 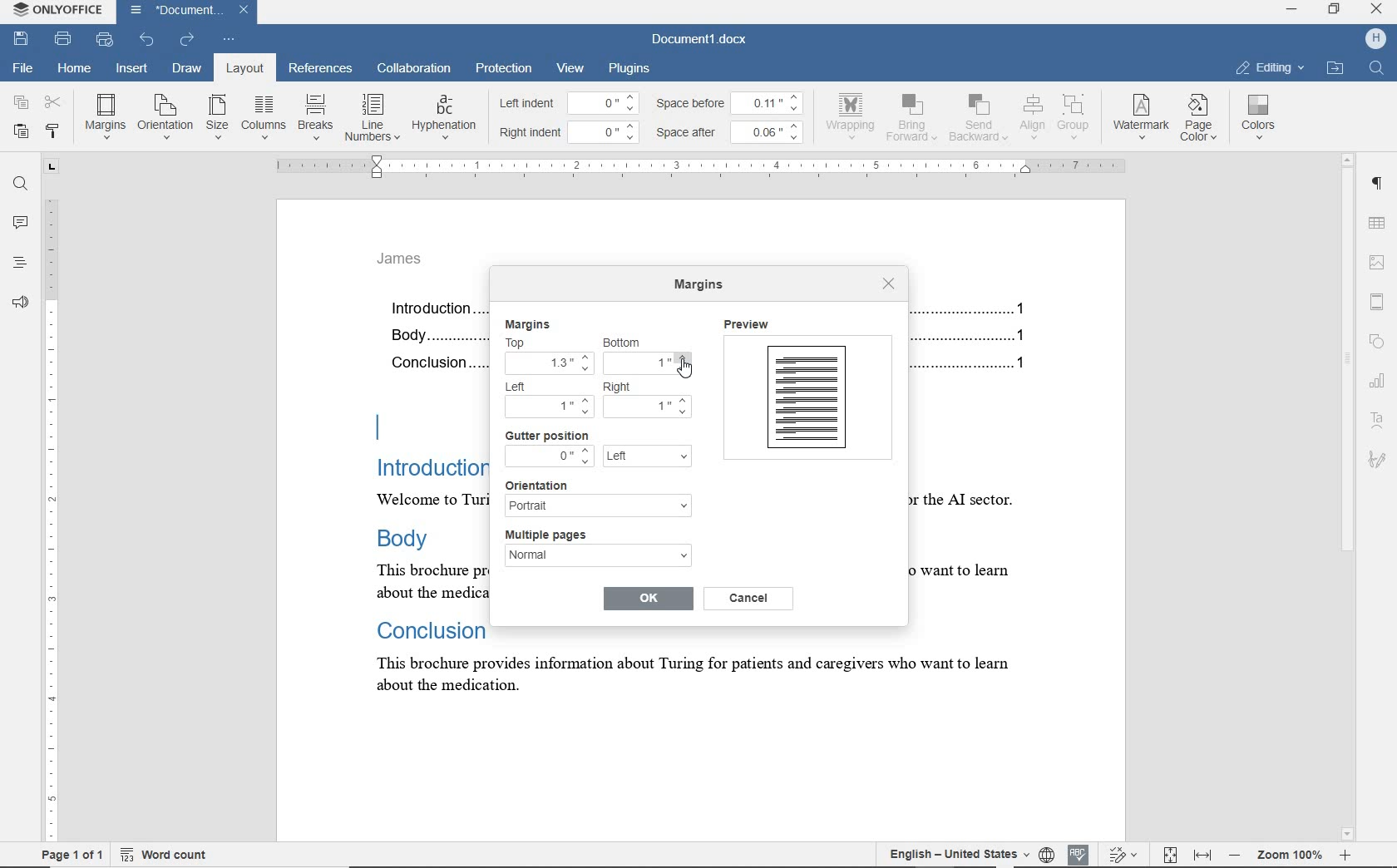 I want to click on increased top margin by 3, so click(x=547, y=362).